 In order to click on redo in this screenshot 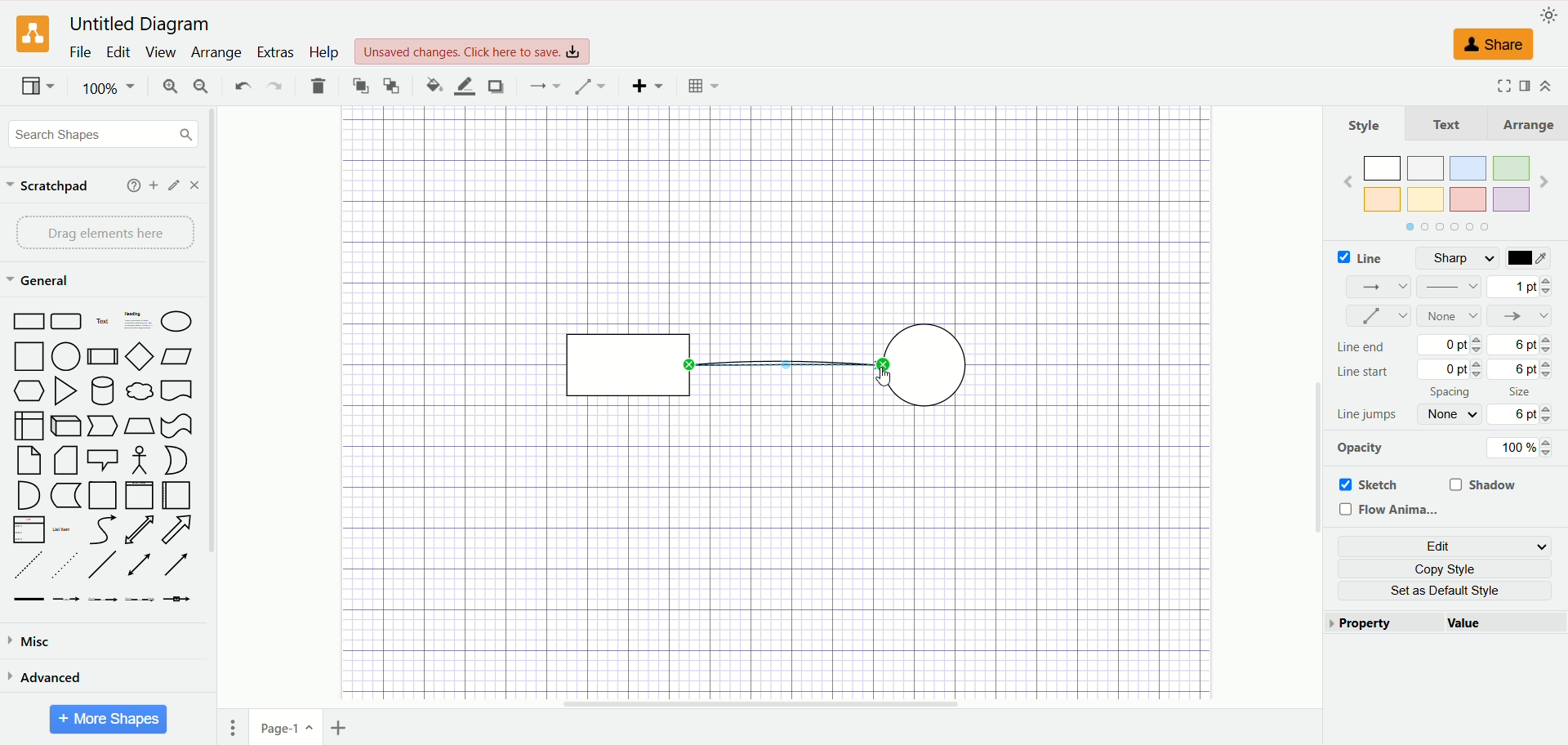, I will do `click(274, 86)`.